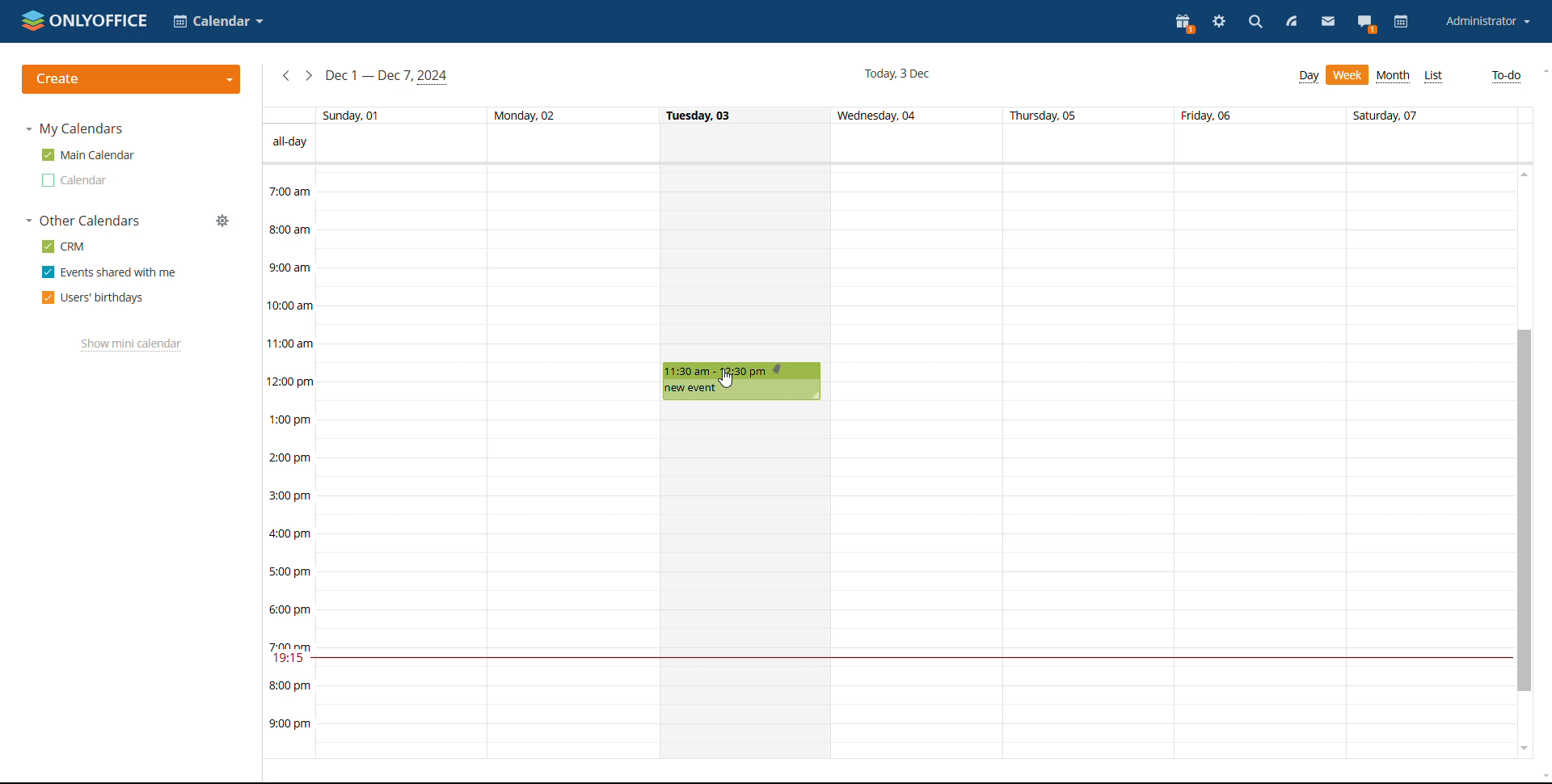 This screenshot has width=1552, height=784. I want to click on Day, so click(1309, 77).